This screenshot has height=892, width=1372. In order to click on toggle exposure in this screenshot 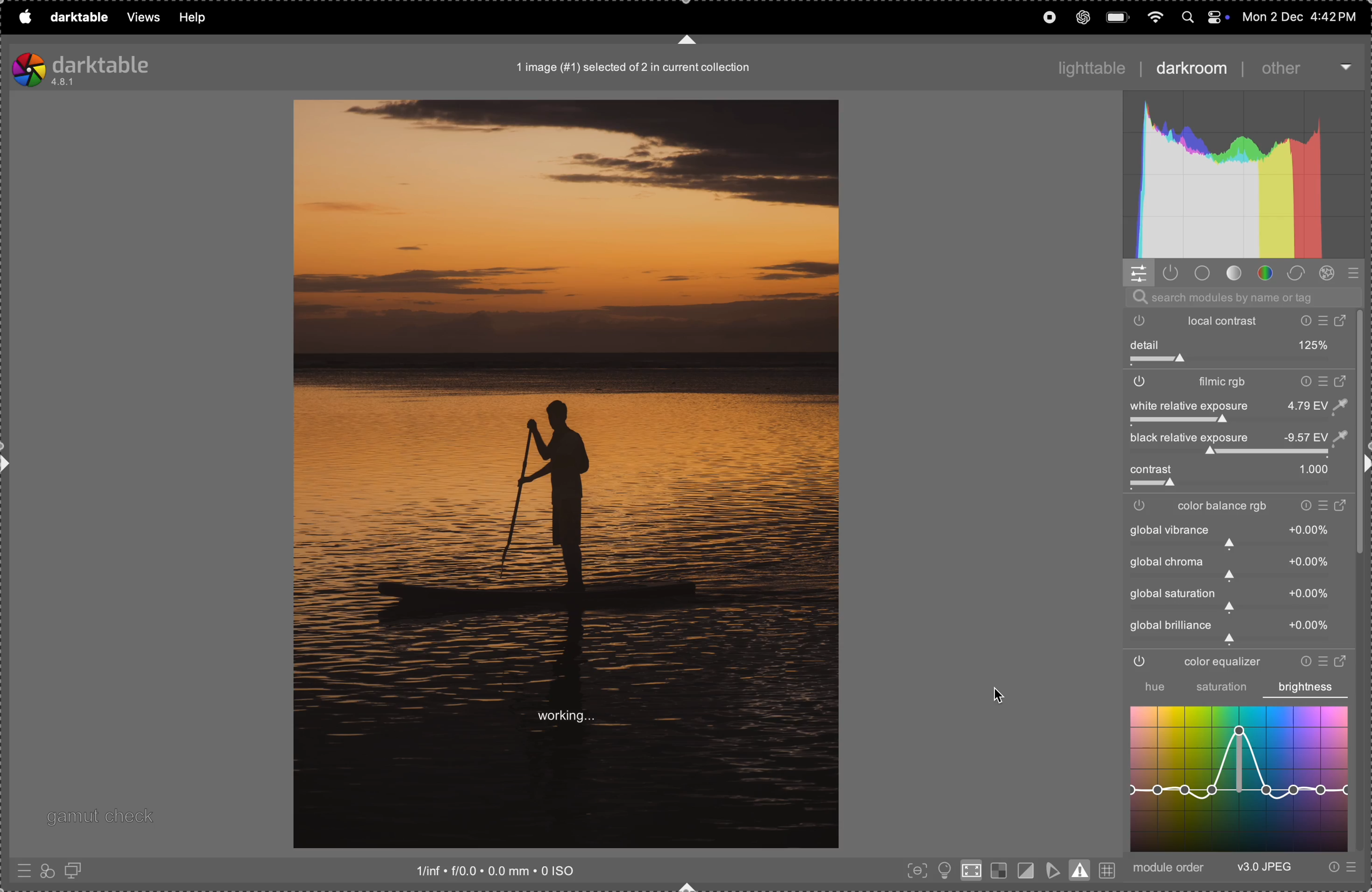, I will do `click(1148, 422)`.